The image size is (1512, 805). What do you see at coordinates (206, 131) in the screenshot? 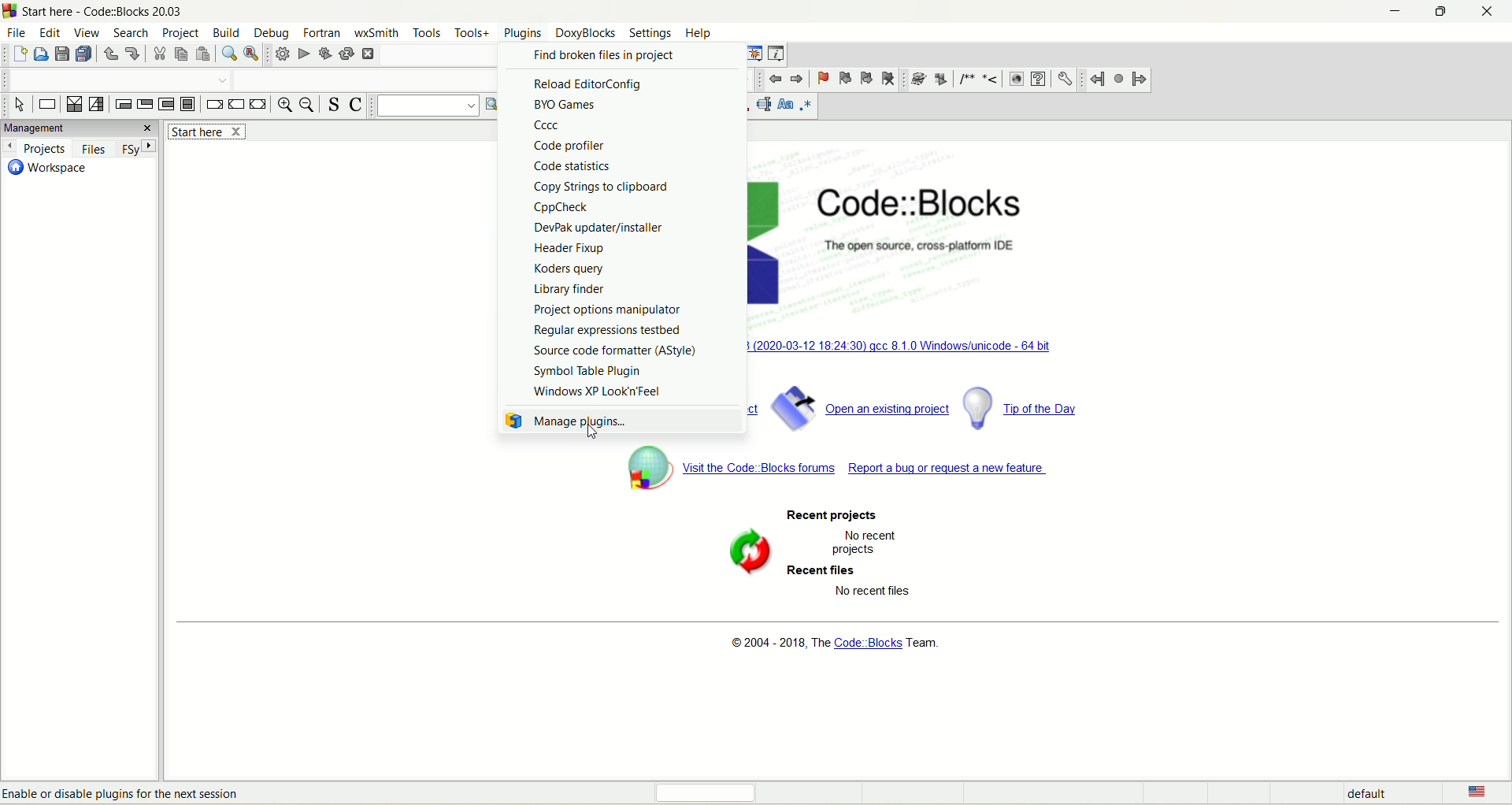
I see `start here` at bounding box center [206, 131].